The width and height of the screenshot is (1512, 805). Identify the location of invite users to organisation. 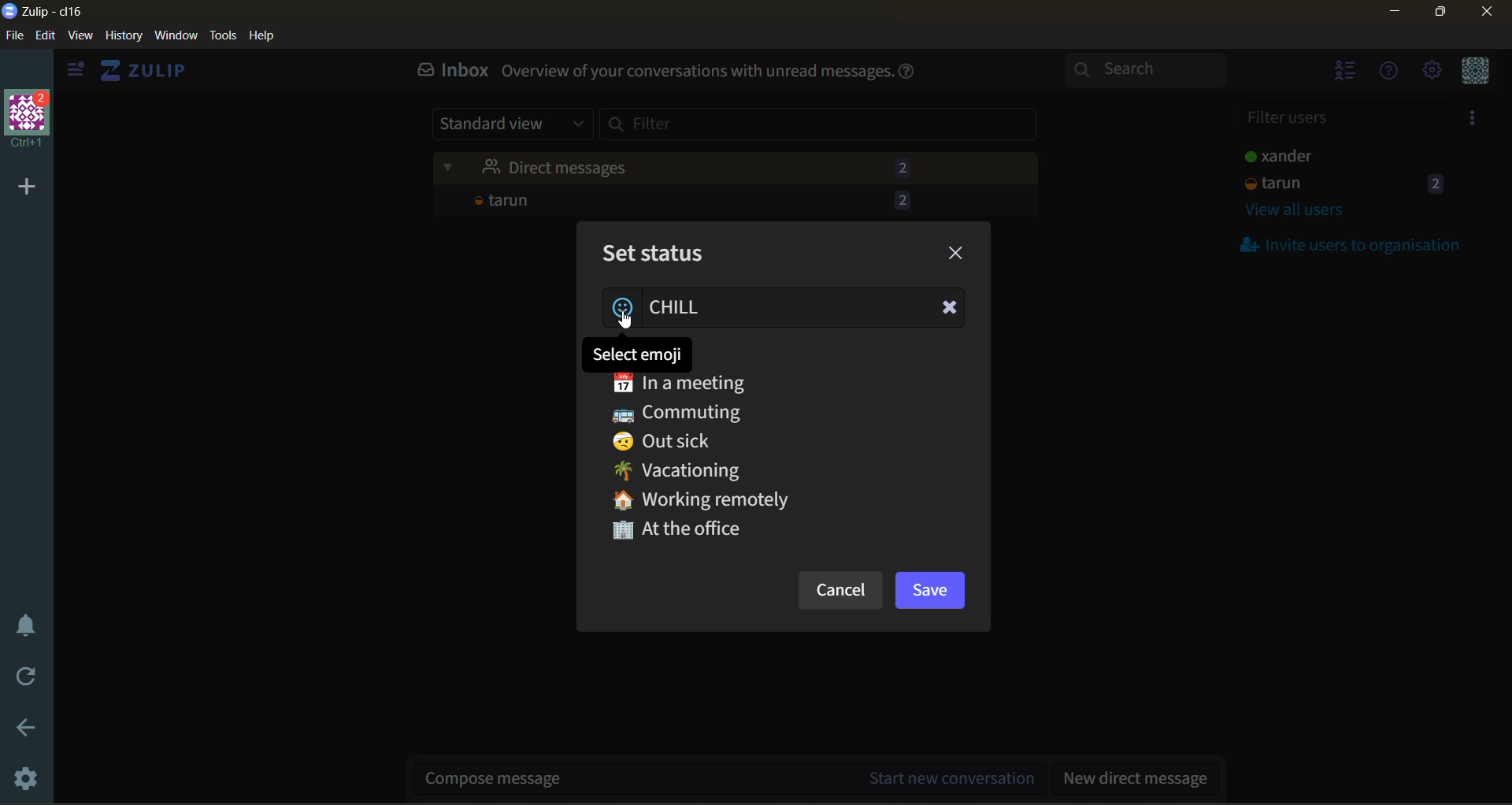
(1362, 244).